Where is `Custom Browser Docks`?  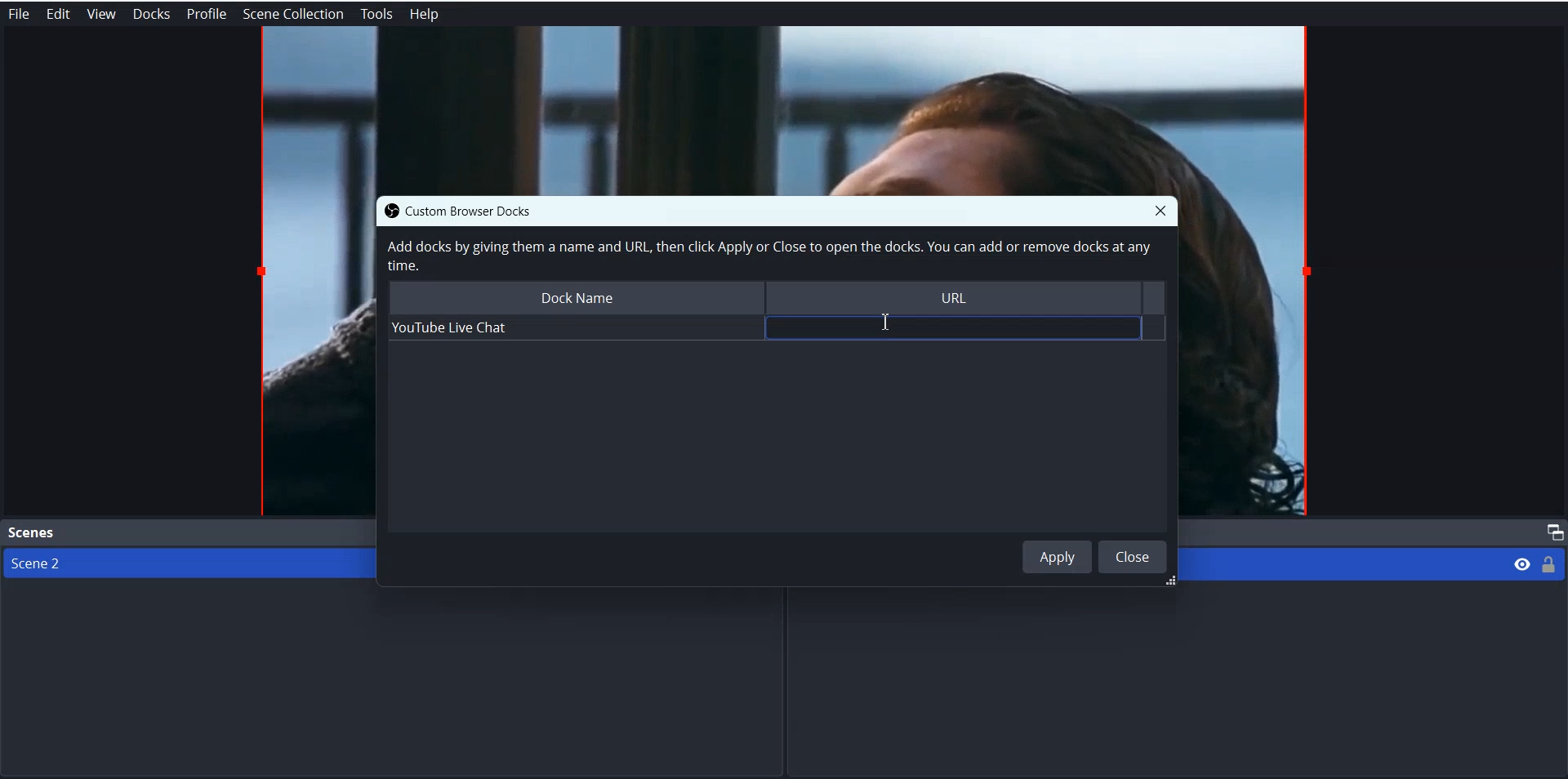
Custom Browser Docks is located at coordinates (484, 210).